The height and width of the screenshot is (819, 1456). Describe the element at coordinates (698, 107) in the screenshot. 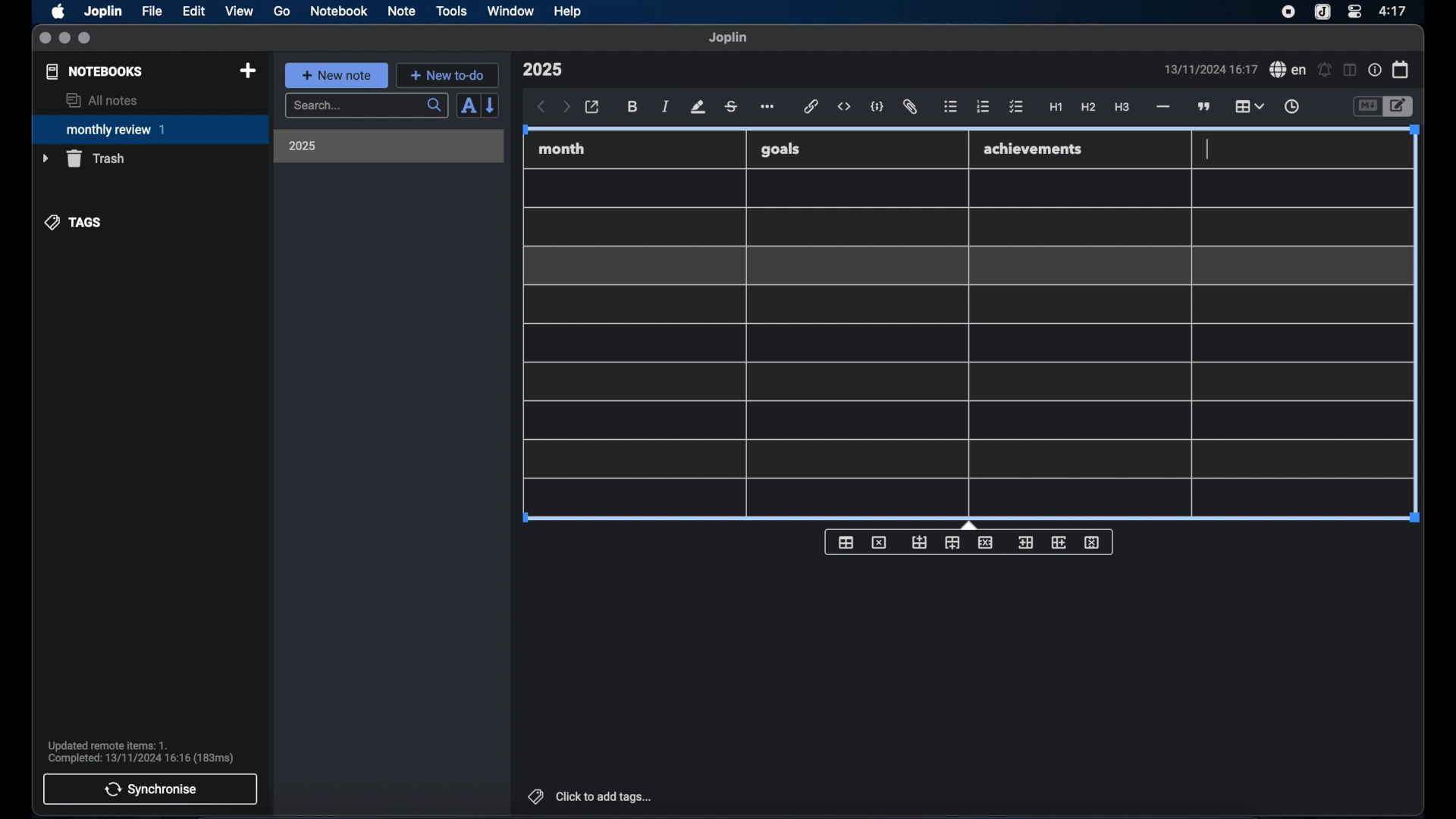

I see `highlight` at that location.